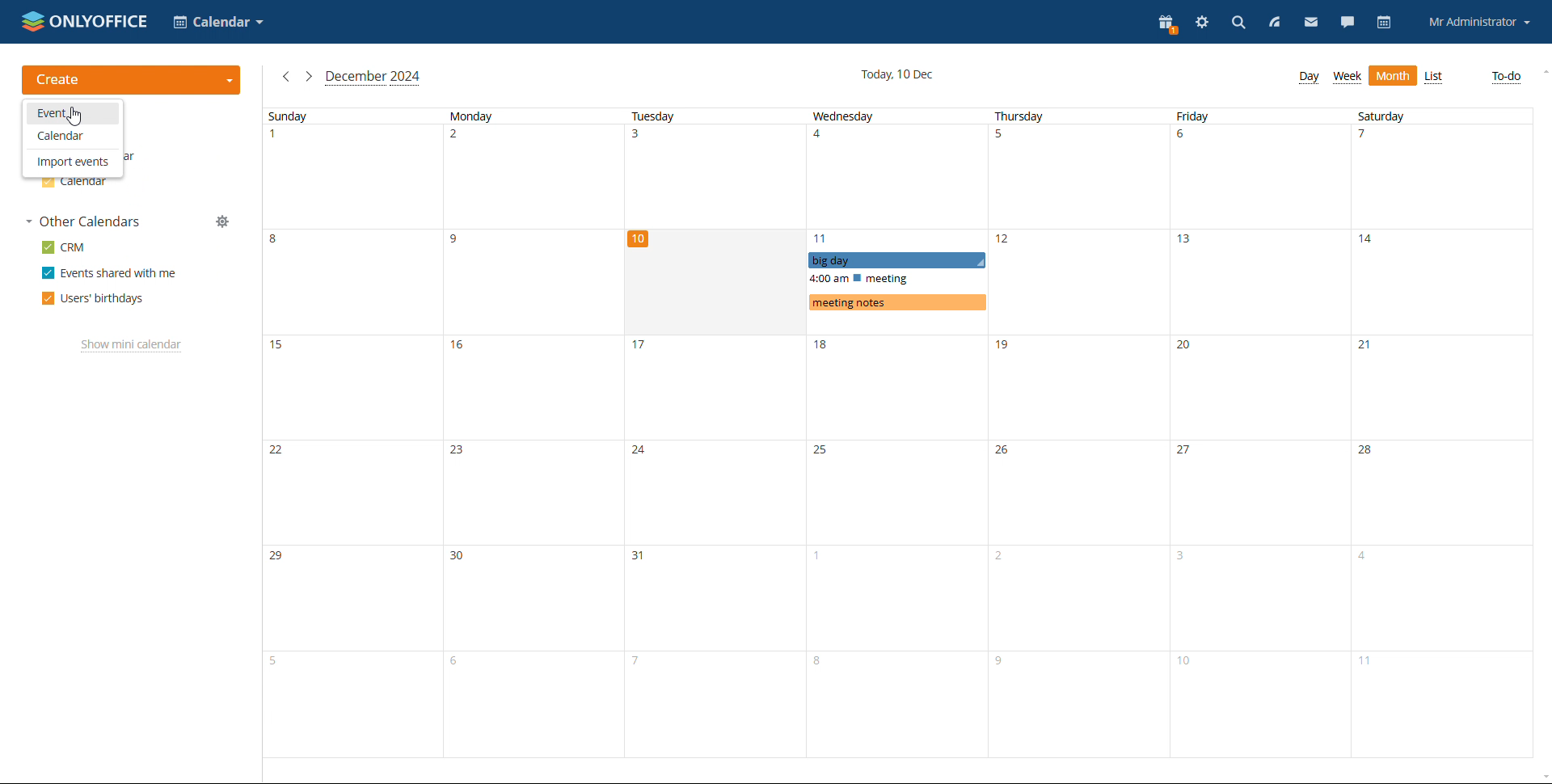  I want to click on current date, so click(897, 74).